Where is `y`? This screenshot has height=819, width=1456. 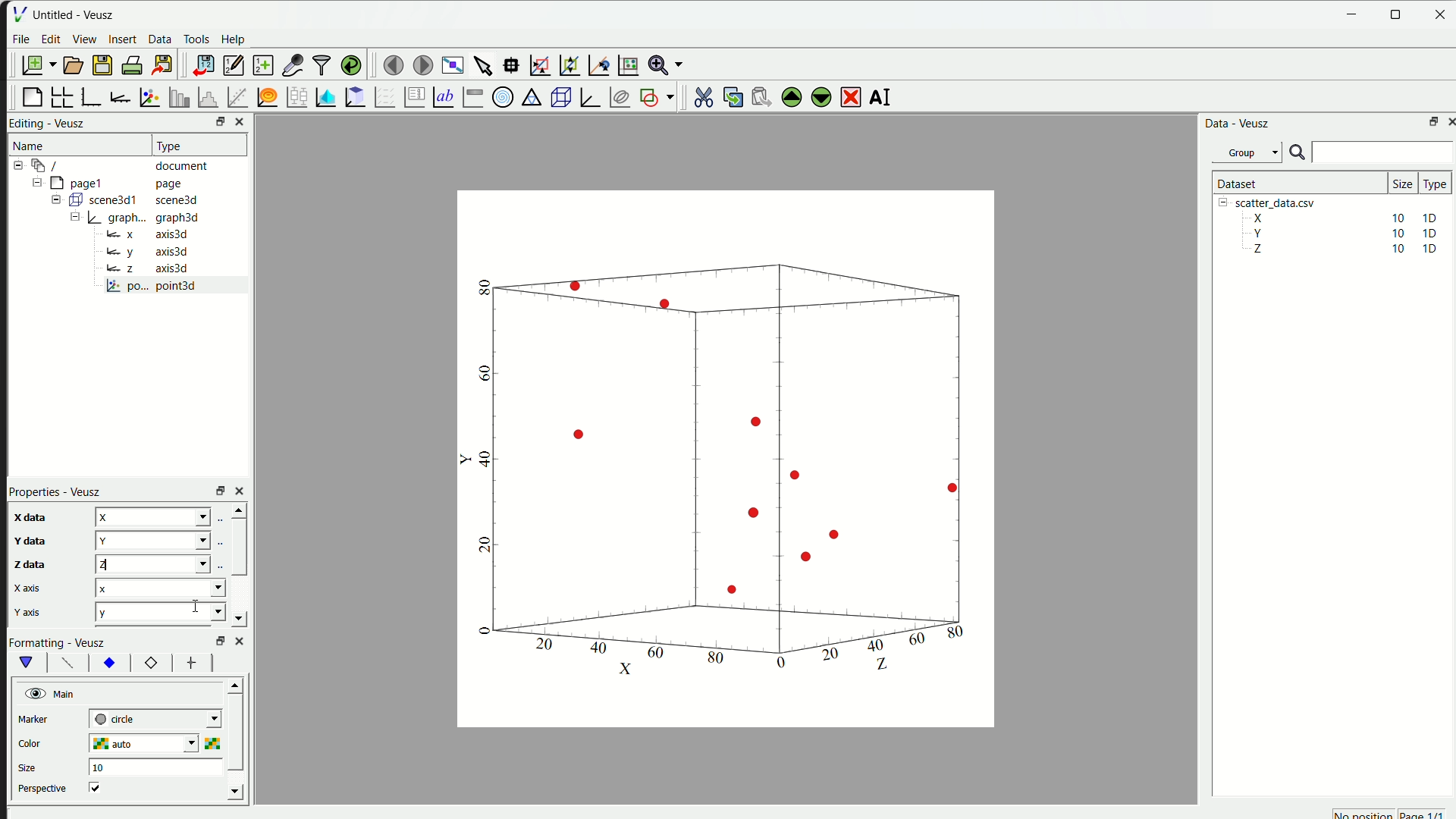 y is located at coordinates (168, 539).